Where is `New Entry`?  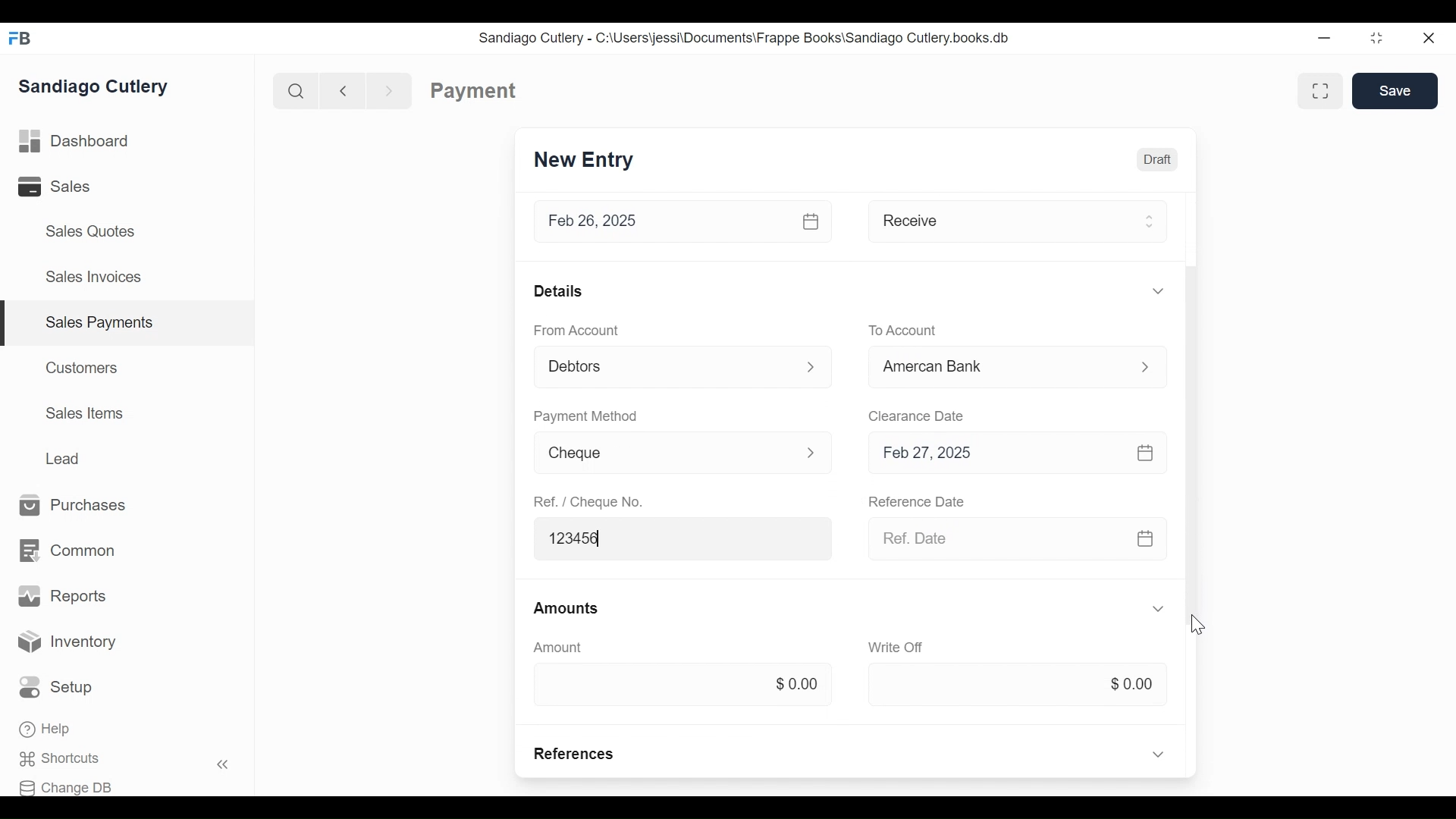 New Entry is located at coordinates (584, 161).